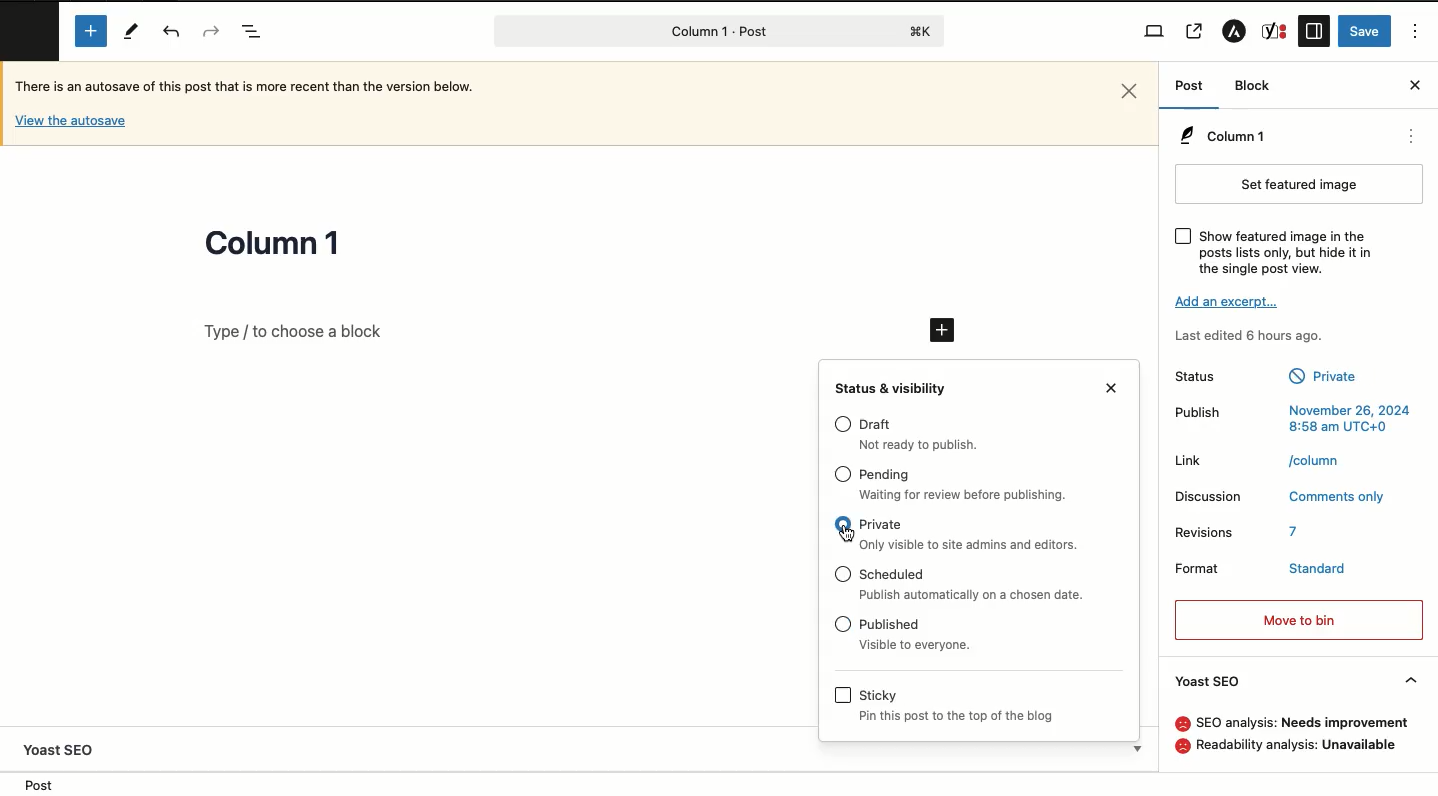  Describe the element at coordinates (922, 694) in the screenshot. I see `Password protected` at that location.